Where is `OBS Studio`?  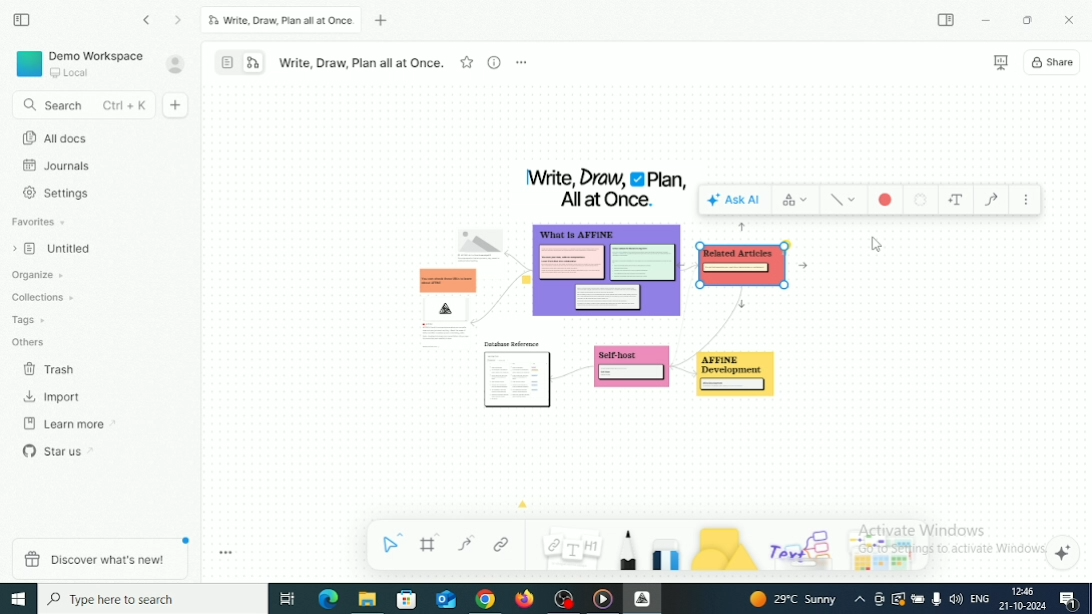
OBS Studio is located at coordinates (566, 599).